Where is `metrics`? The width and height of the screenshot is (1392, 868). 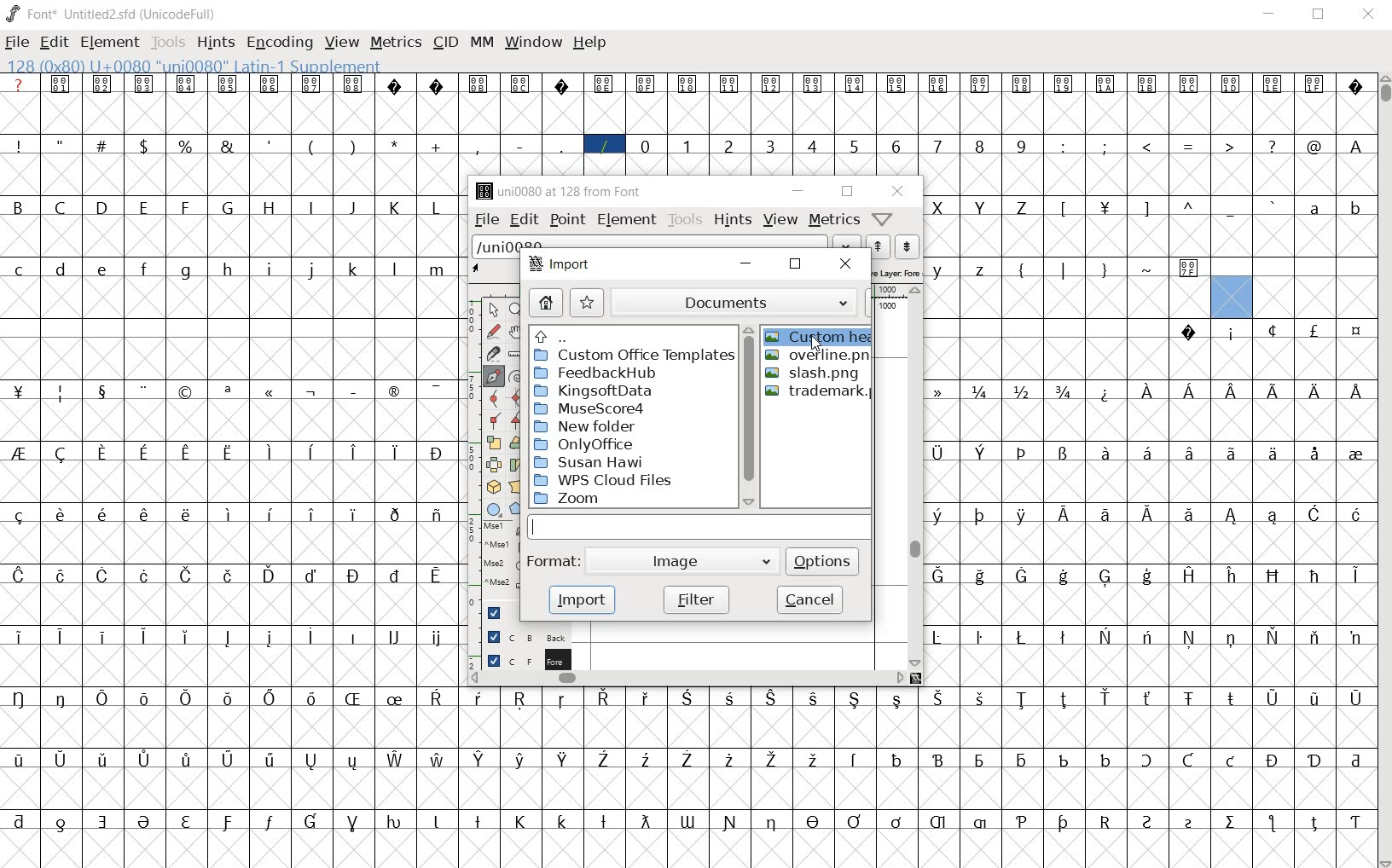 metrics is located at coordinates (832, 219).